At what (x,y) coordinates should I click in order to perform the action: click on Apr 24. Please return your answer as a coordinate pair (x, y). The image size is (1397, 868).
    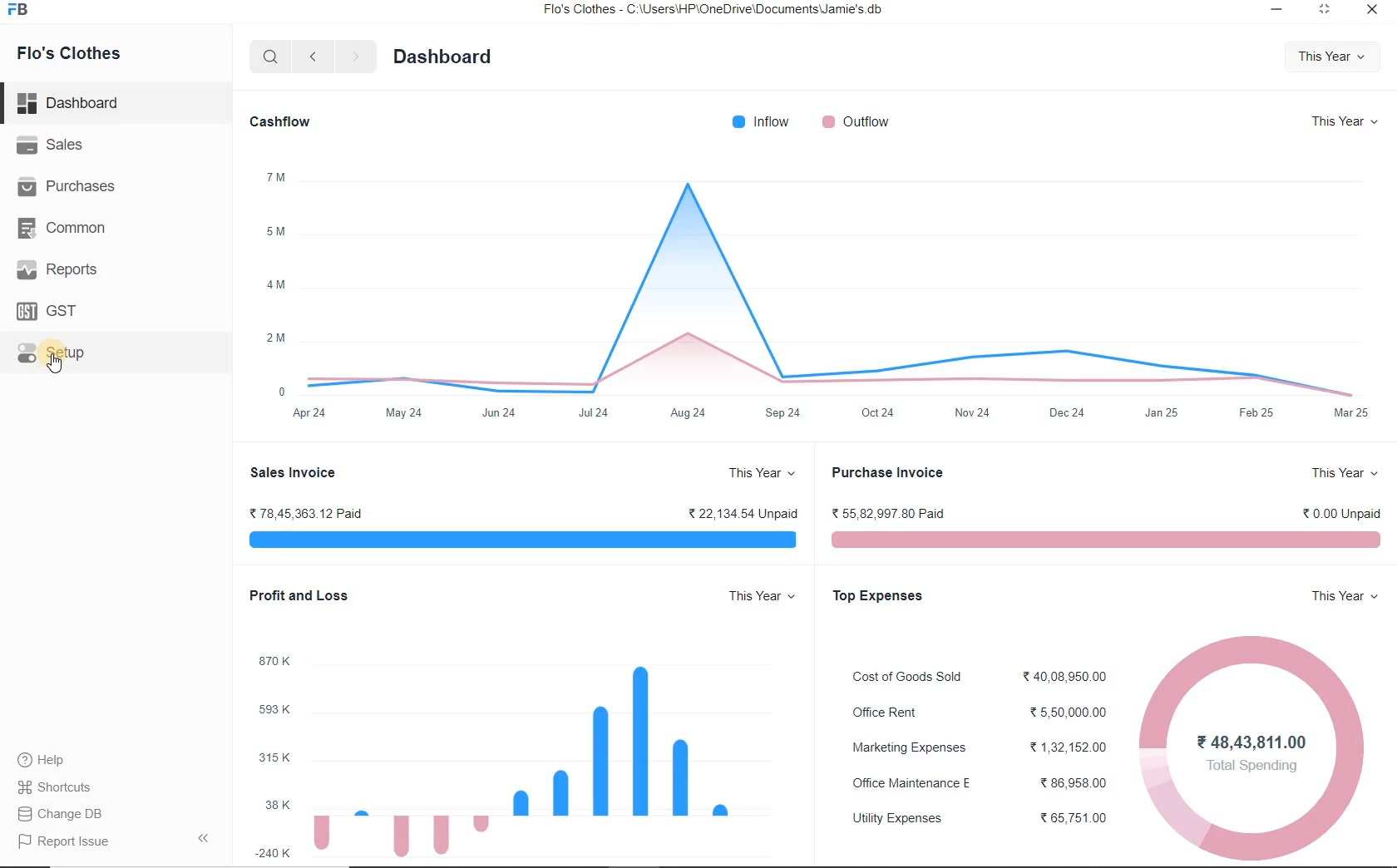
    Looking at the image, I should click on (309, 414).